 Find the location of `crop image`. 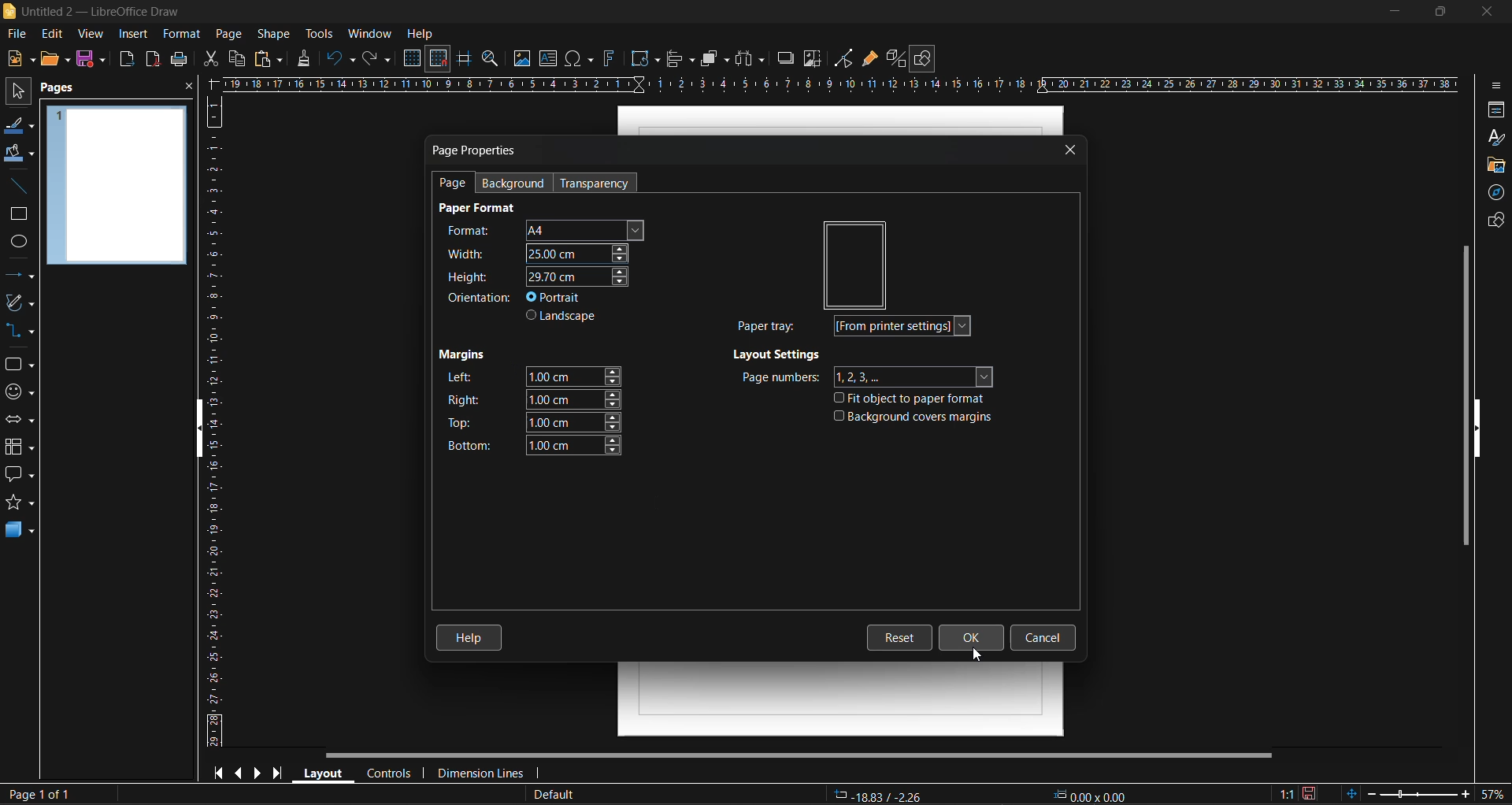

crop image is located at coordinates (812, 61).